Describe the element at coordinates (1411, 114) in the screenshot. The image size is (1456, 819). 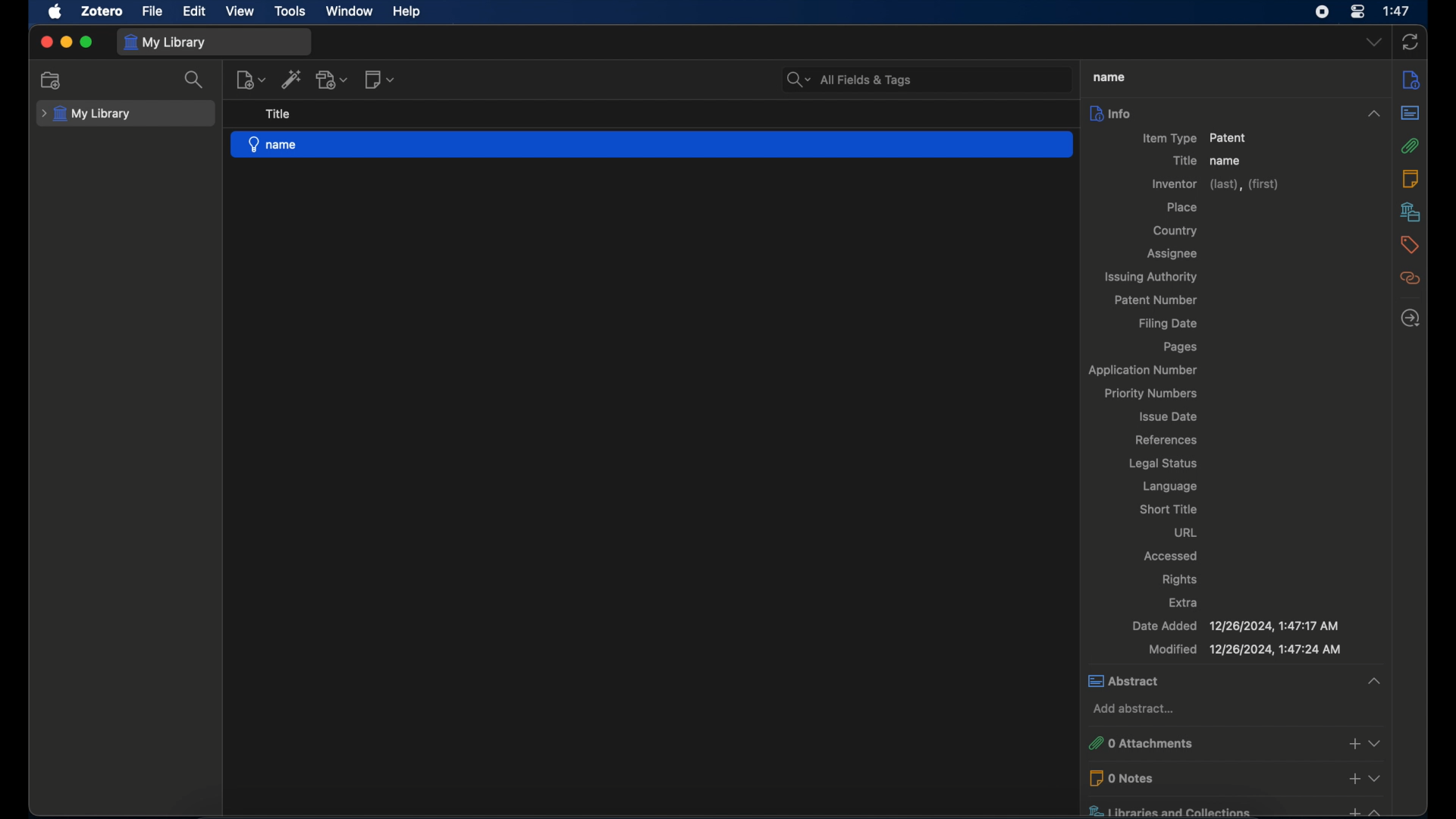
I see `abstract` at that location.